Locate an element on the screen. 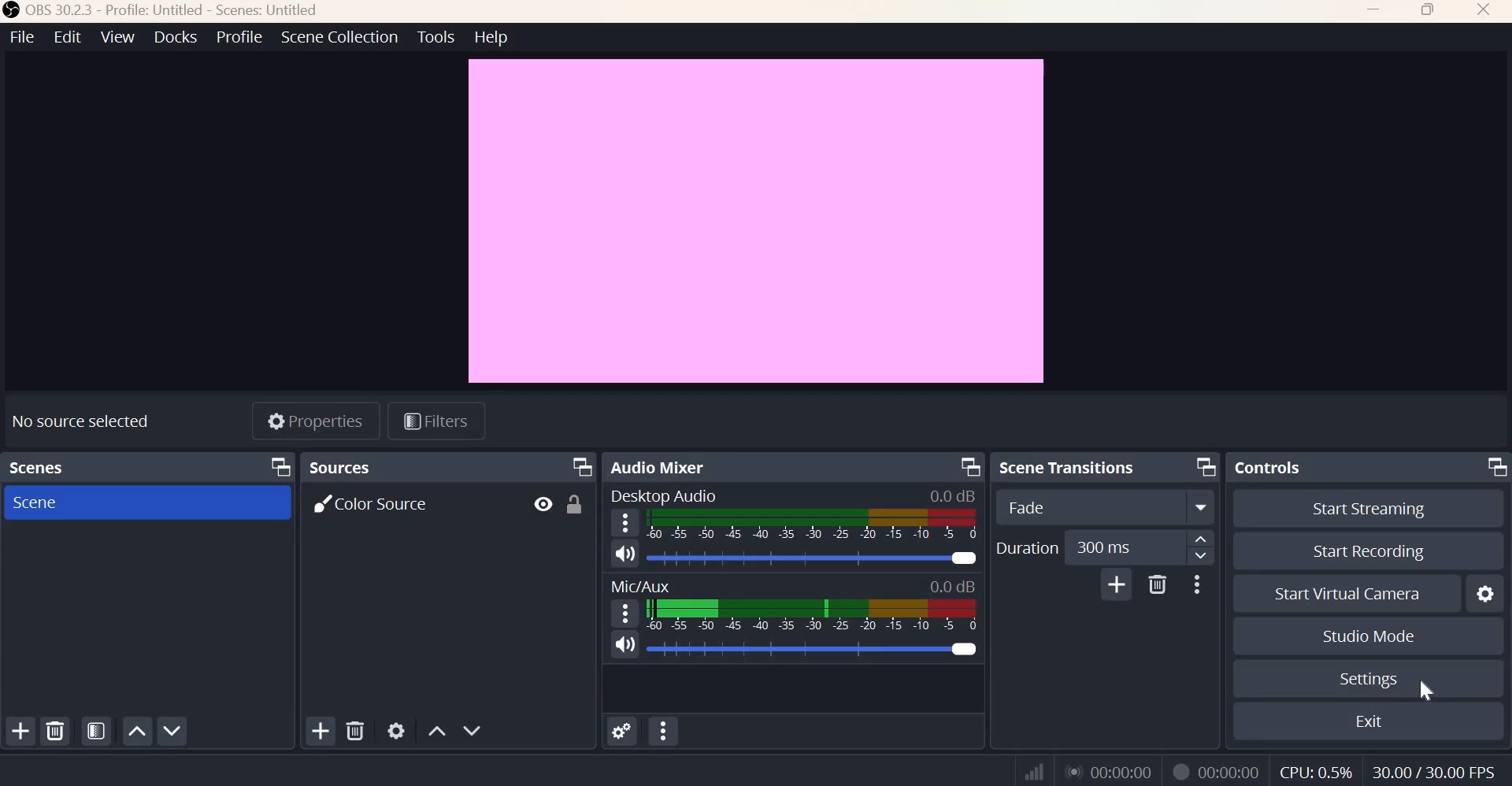 This screenshot has height=786, width=1512. remove selected scene  is located at coordinates (56, 732).